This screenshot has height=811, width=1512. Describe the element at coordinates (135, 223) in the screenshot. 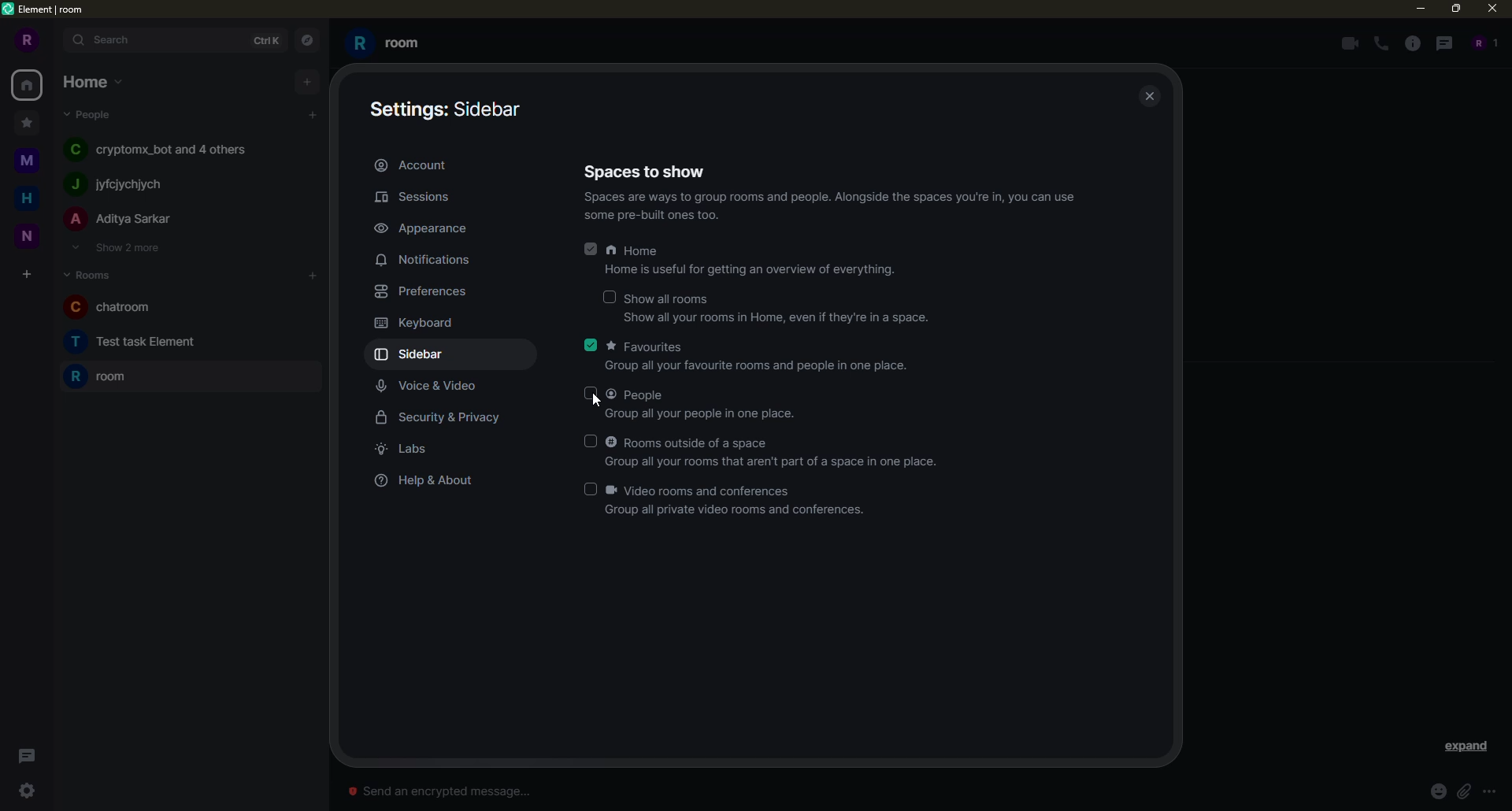

I see `A Aditya Sarkar` at that location.